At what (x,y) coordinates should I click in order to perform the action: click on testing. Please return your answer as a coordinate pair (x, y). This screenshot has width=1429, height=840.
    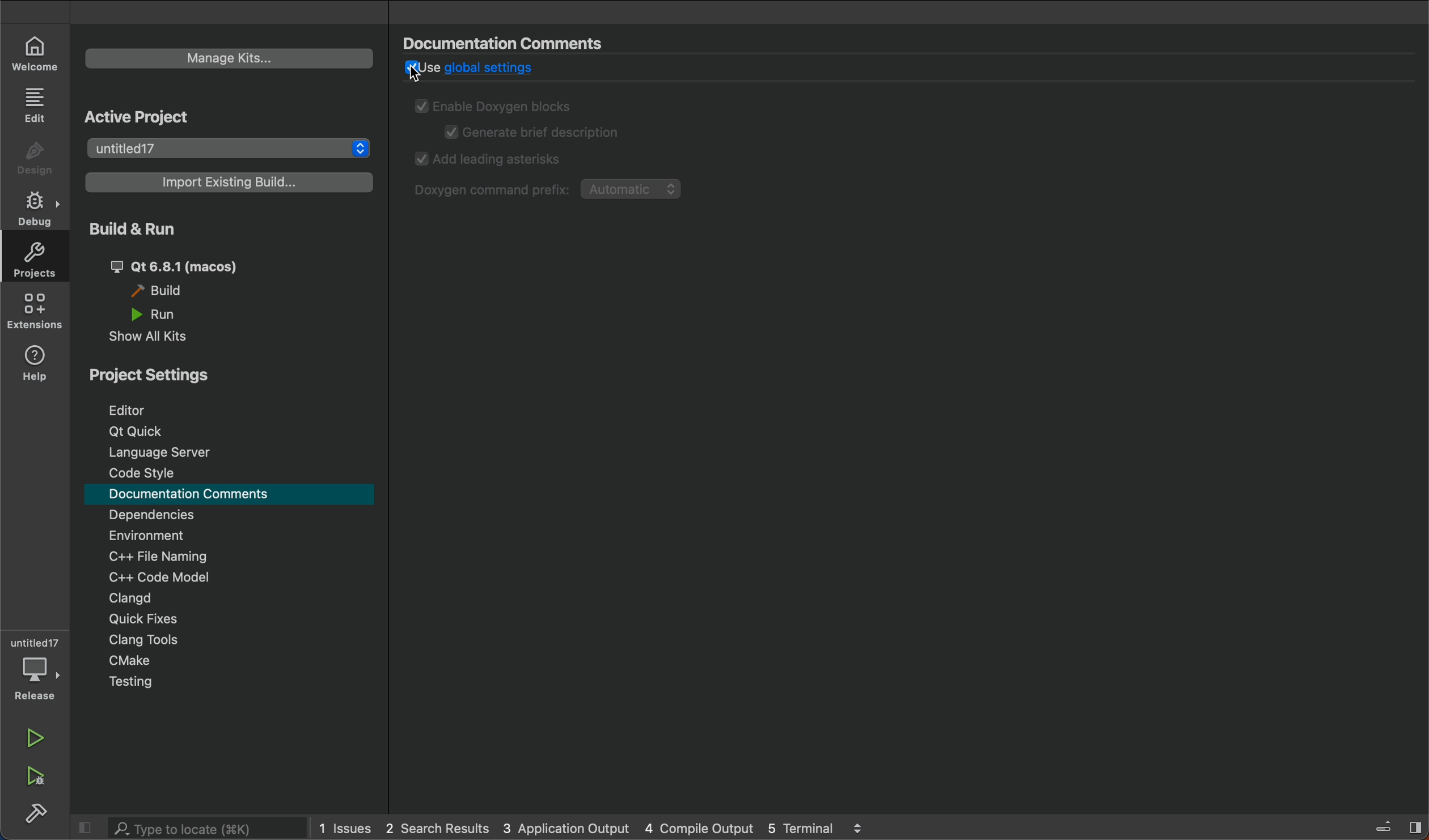
    Looking at the image, I should click on (132, 682).